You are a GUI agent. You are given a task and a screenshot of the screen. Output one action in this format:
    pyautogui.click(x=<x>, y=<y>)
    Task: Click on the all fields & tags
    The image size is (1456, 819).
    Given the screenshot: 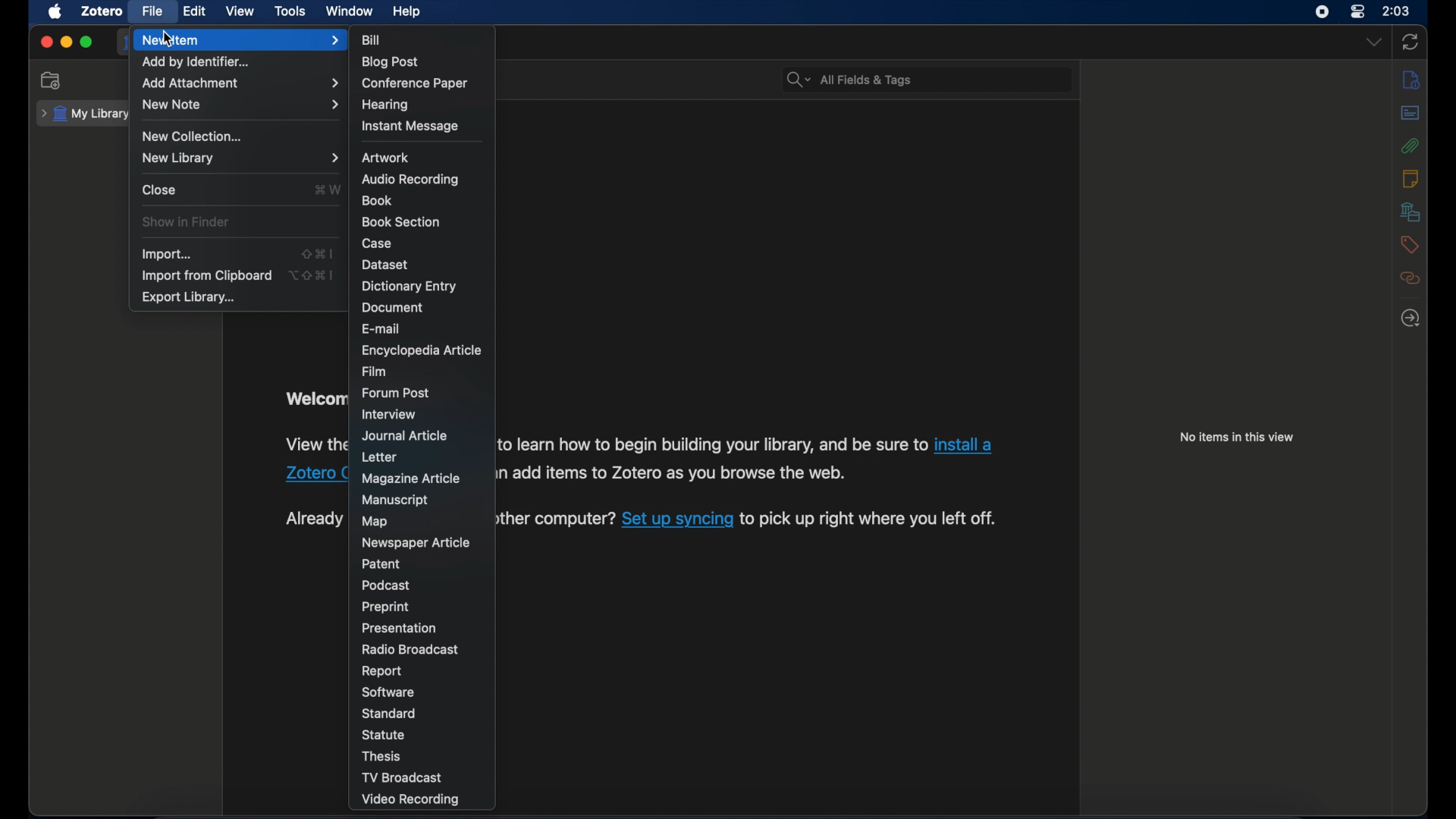 What is the action you would take?
    pyautogui.click(x=848, y=80)
    